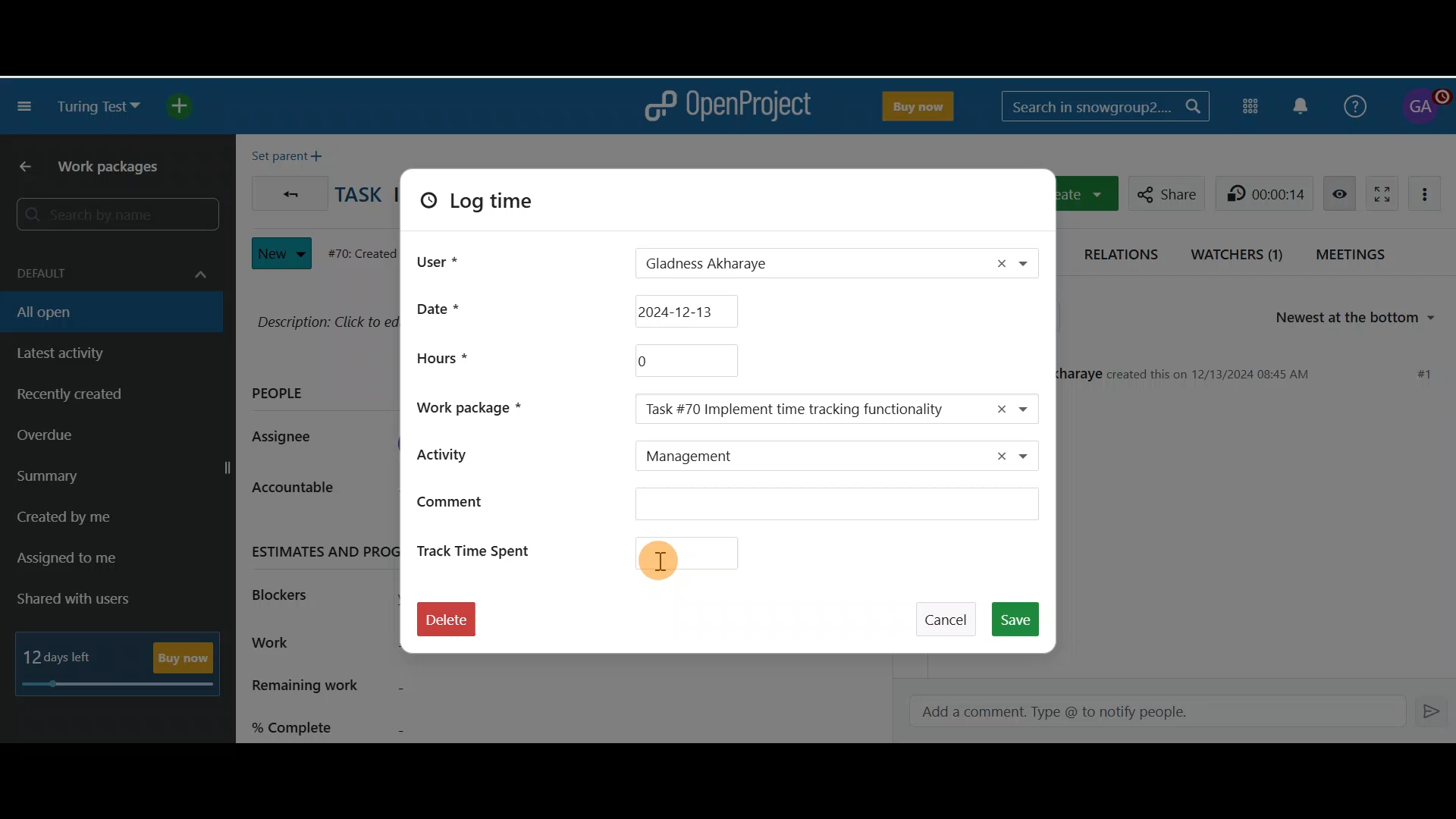  I want to click on Remove, so click(997, 408).